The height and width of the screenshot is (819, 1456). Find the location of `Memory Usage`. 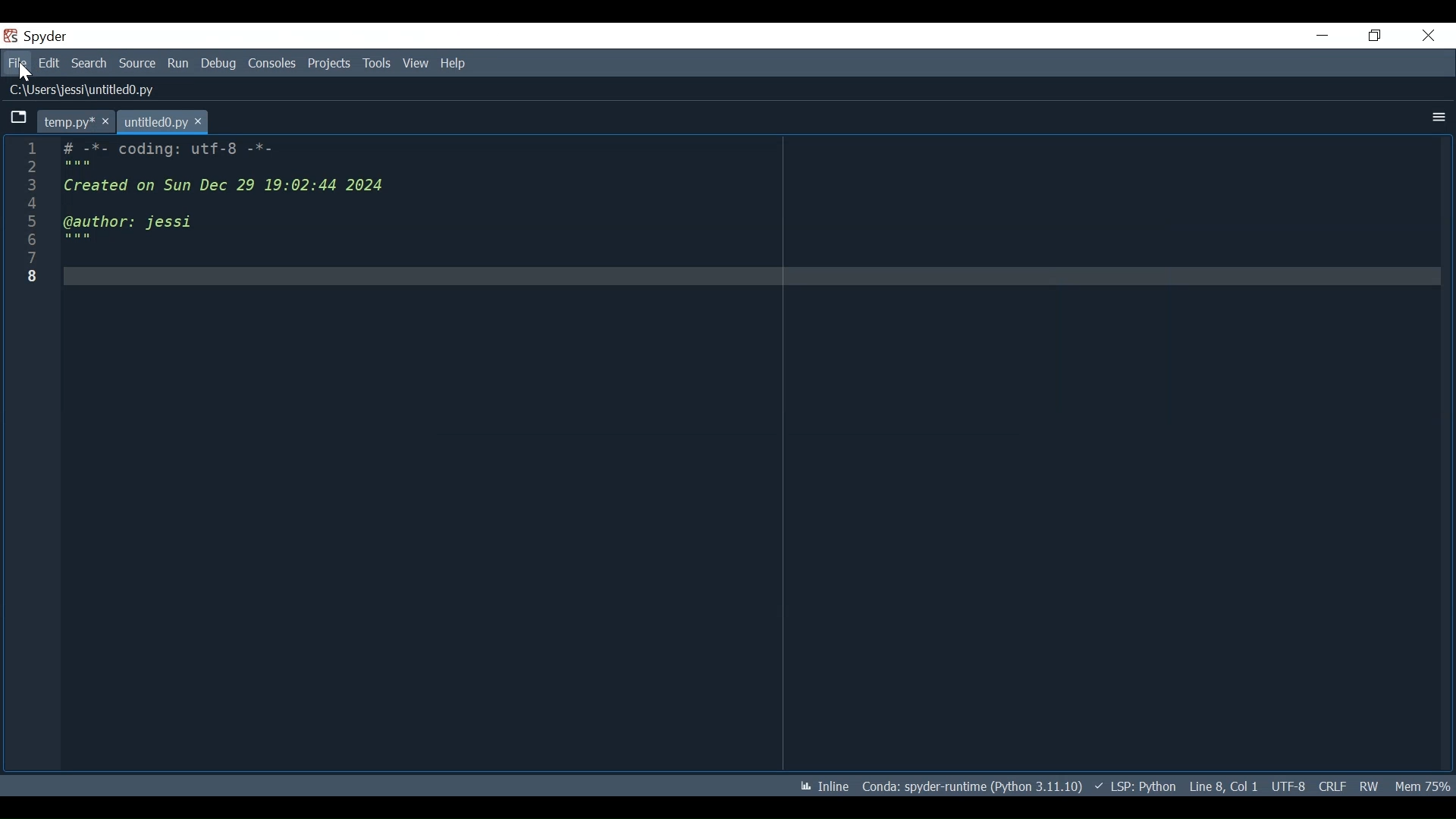

Memory Usage is located at coordinates (1421, 785).